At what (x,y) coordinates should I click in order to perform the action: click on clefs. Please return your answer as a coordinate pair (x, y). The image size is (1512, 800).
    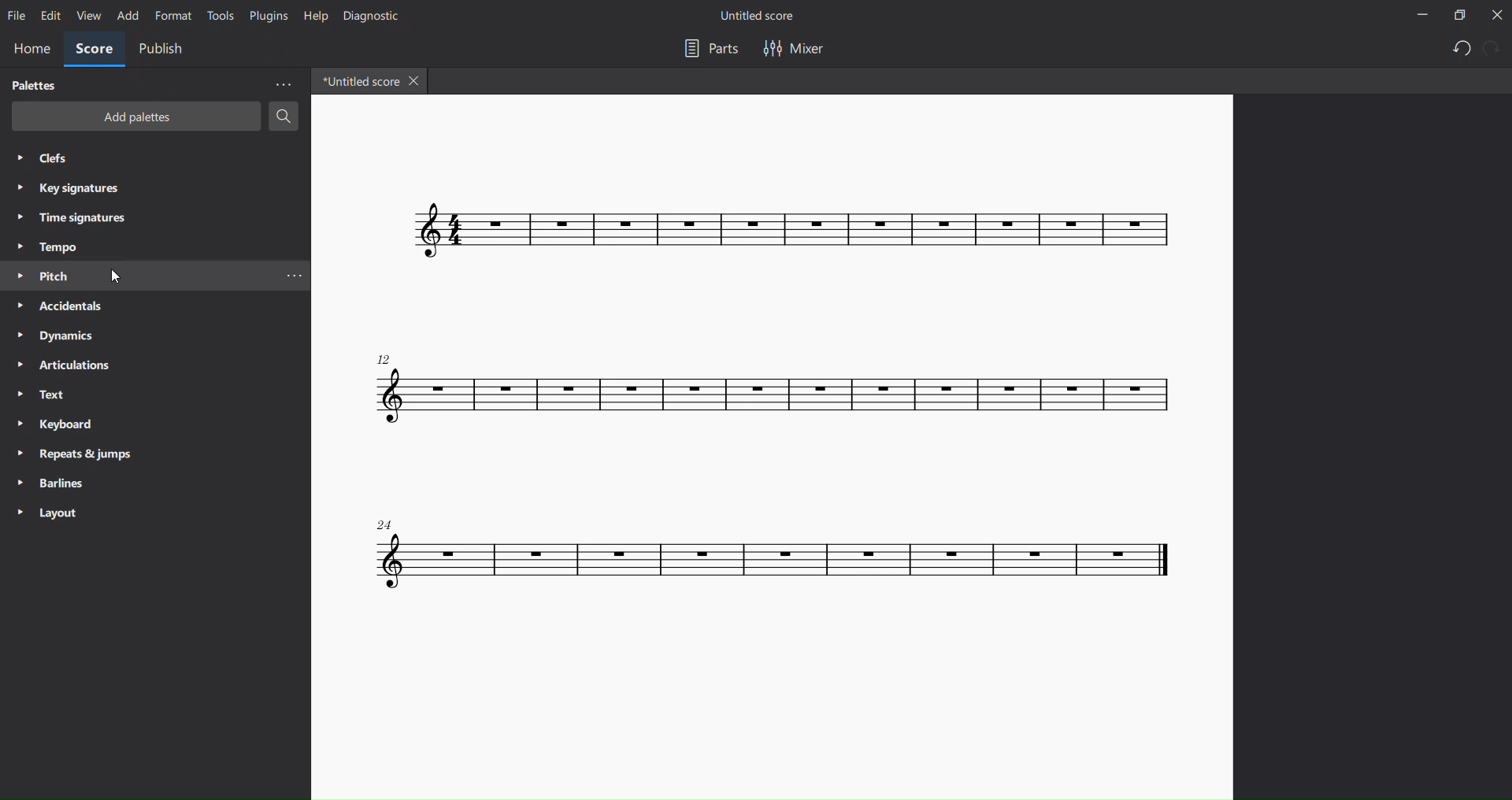
    Looking at the image, I should click on (47, 160).